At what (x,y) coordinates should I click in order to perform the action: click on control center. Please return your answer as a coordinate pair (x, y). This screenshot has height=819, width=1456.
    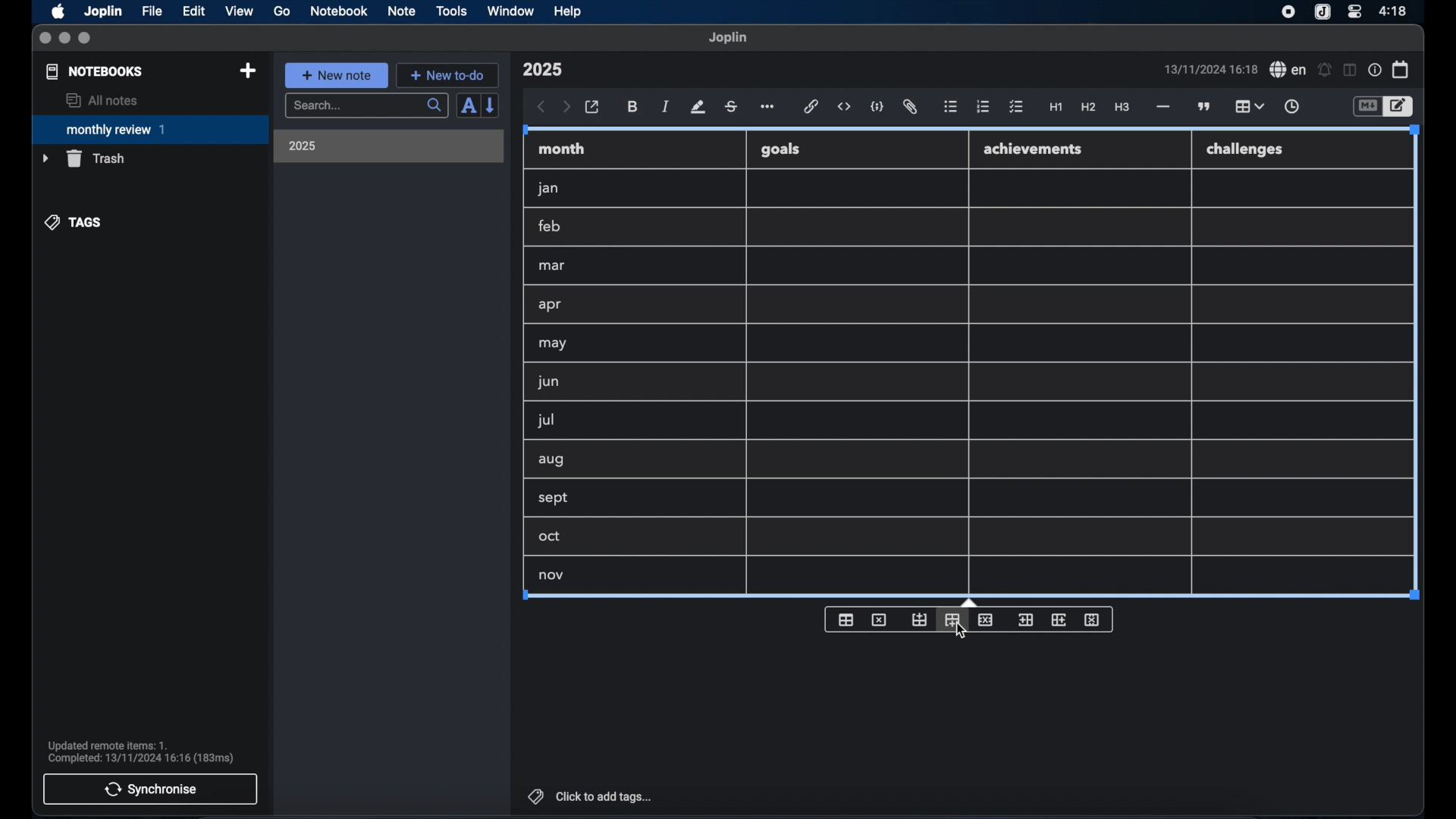
    Looking at the image, I should click on (1354, 11).